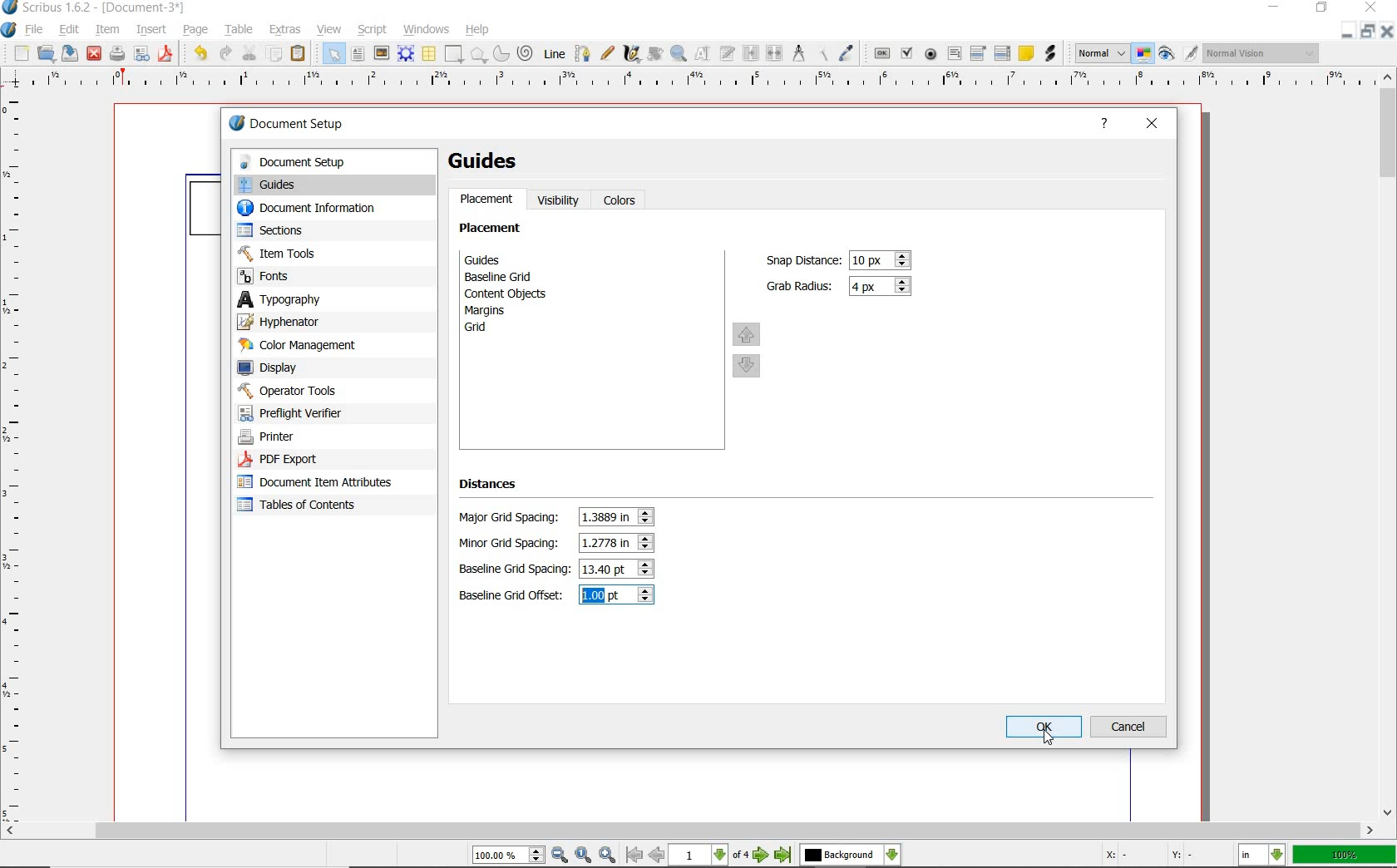 Image resolution: width=1397 pixels, height=868 pixels. I want to click on text annotation, so click(1025, 52).